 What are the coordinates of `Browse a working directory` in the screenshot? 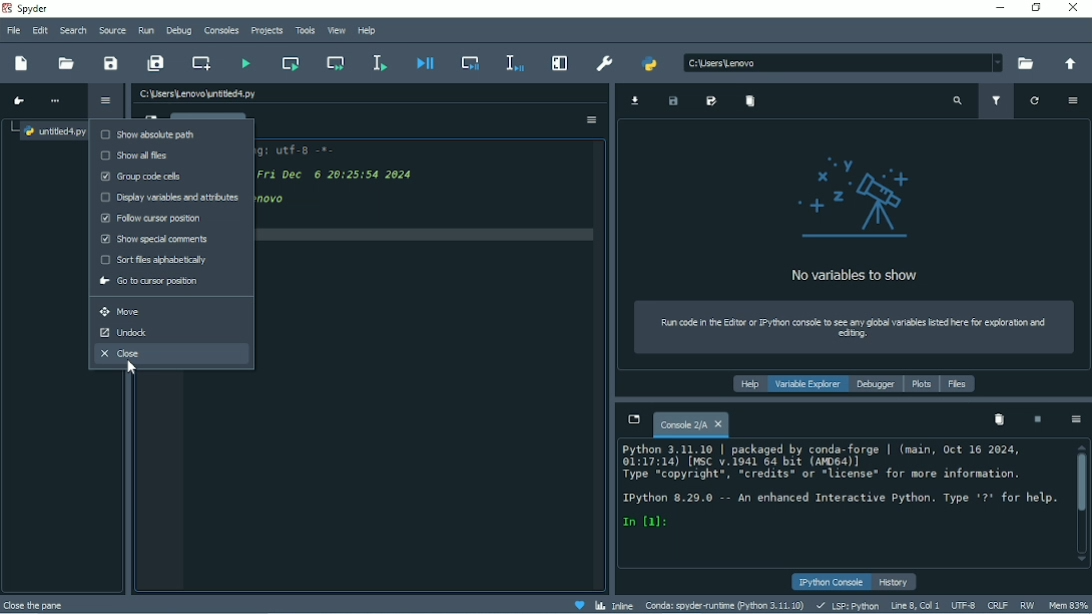 It's located at (1027, 63).